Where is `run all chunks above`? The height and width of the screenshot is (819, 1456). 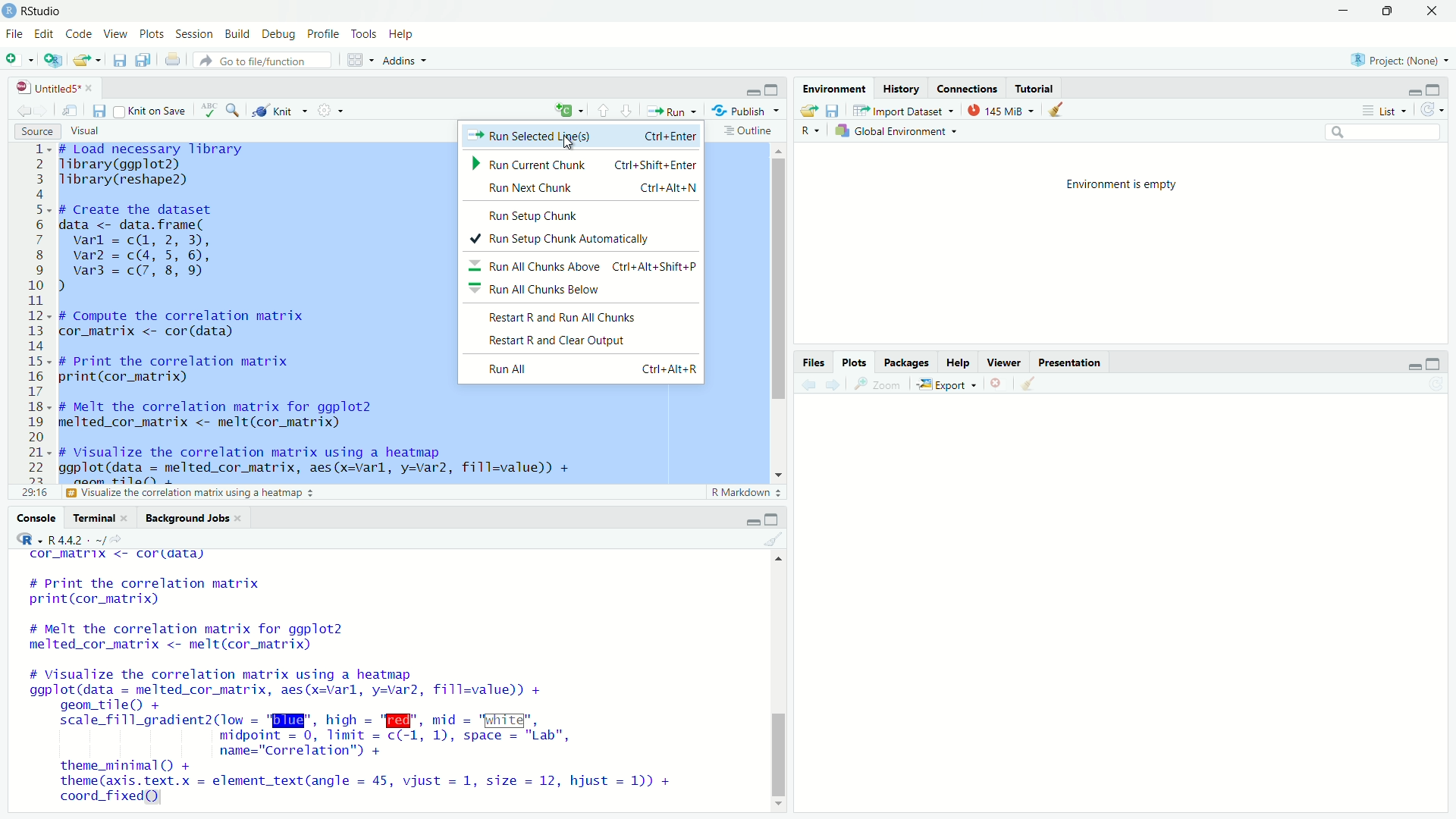 run all chunks above is located at coordinates (585, 265).